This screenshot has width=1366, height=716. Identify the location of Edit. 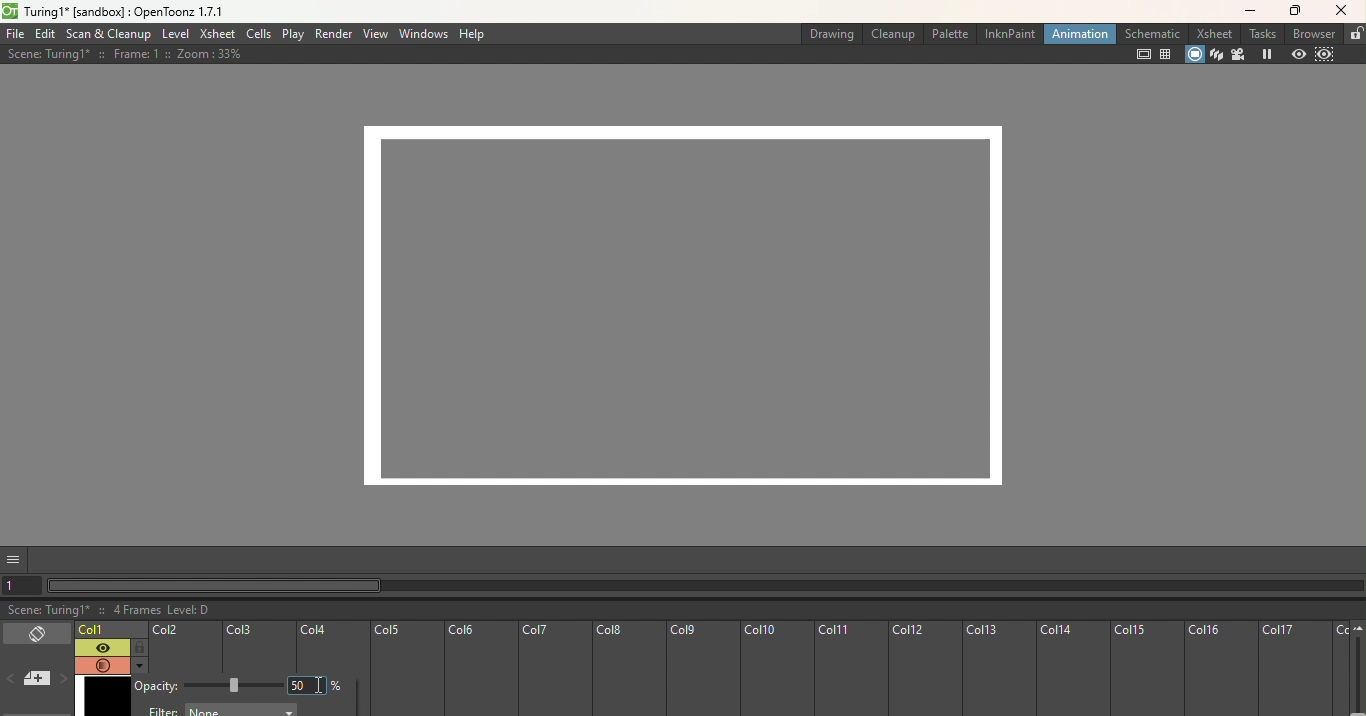
(45, 35).